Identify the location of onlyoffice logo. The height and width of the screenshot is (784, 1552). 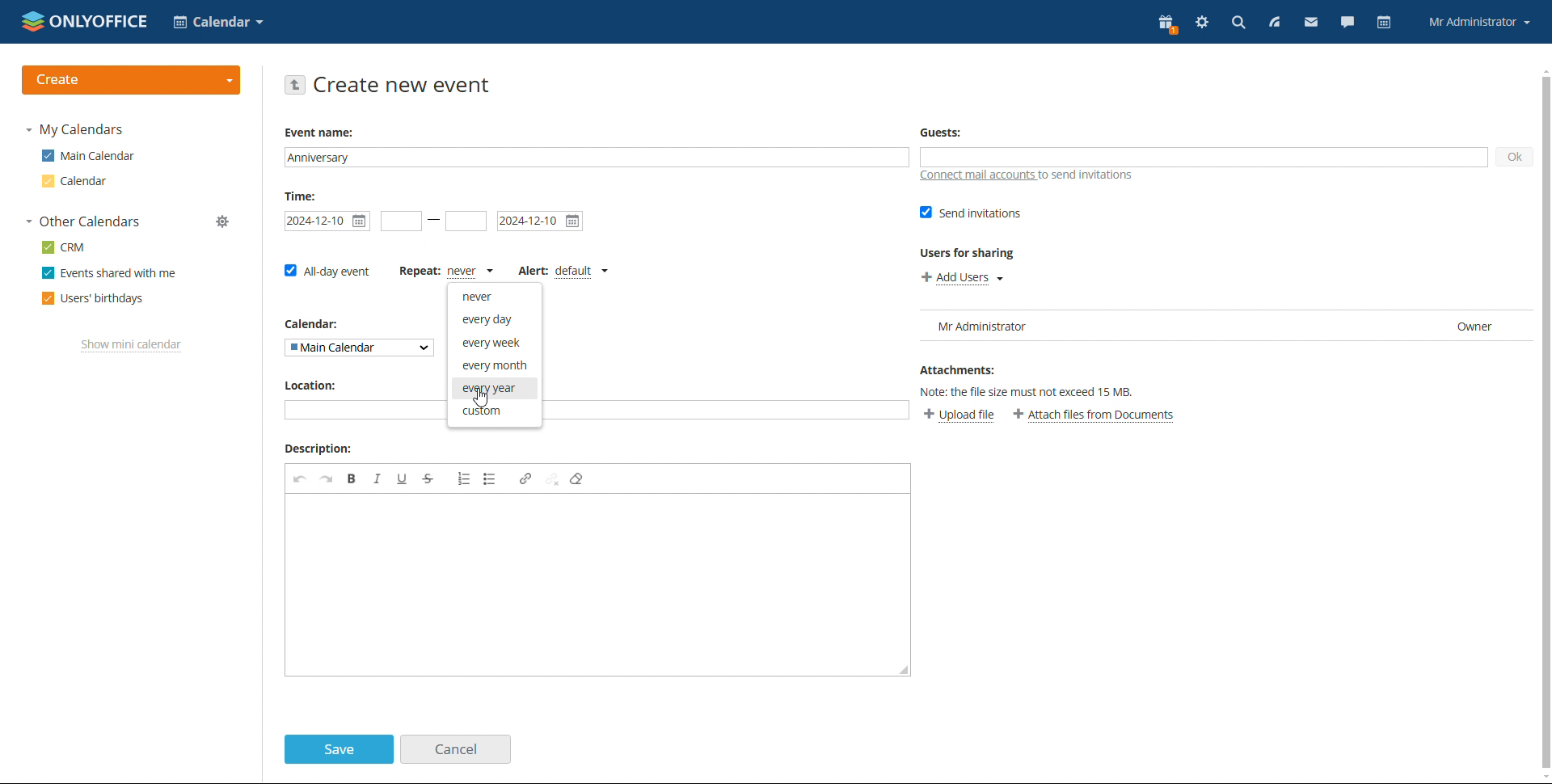
(33, 20).